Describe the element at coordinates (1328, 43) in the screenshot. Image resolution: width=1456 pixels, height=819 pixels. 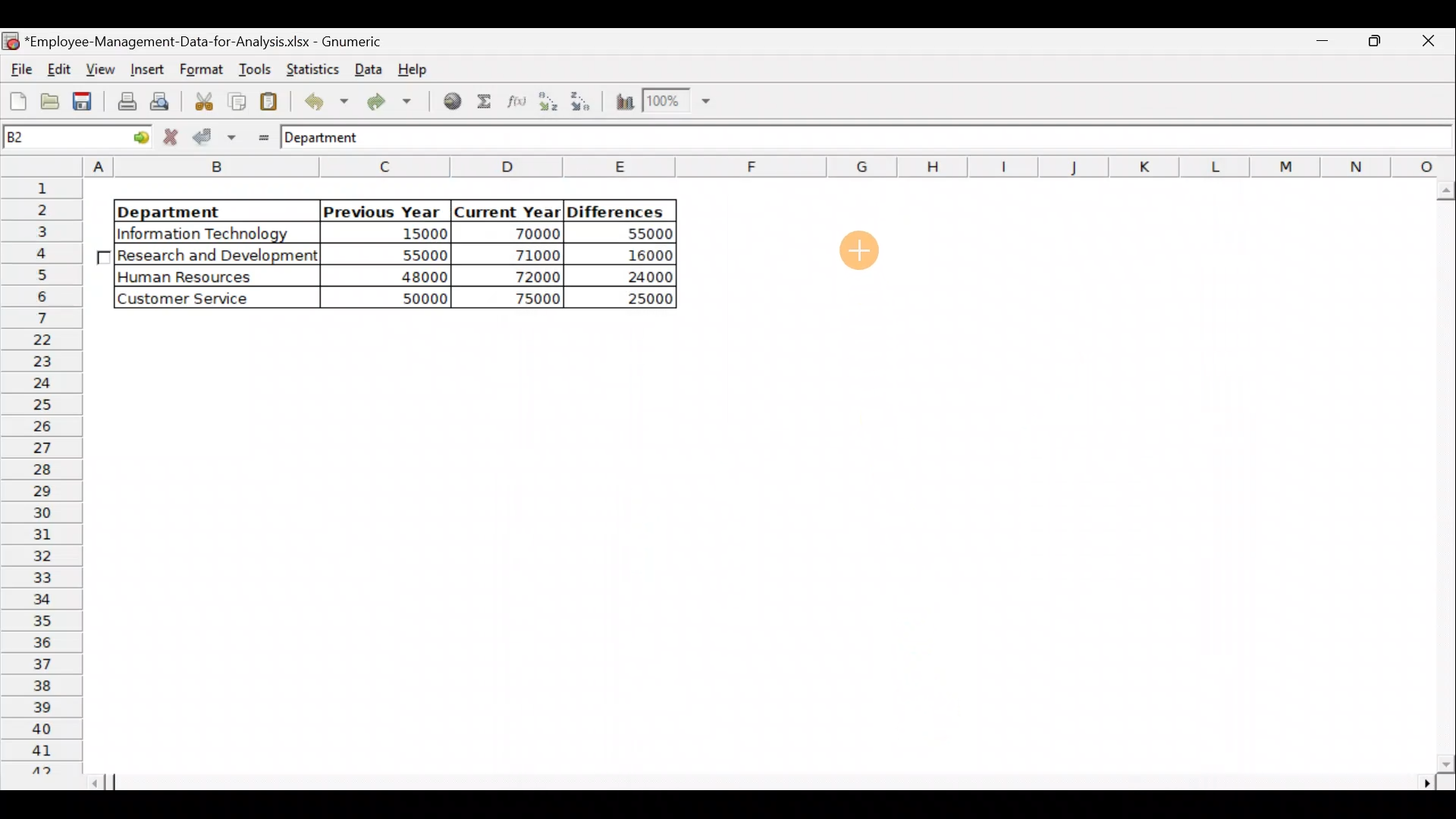
I see `Maximize` at that location.